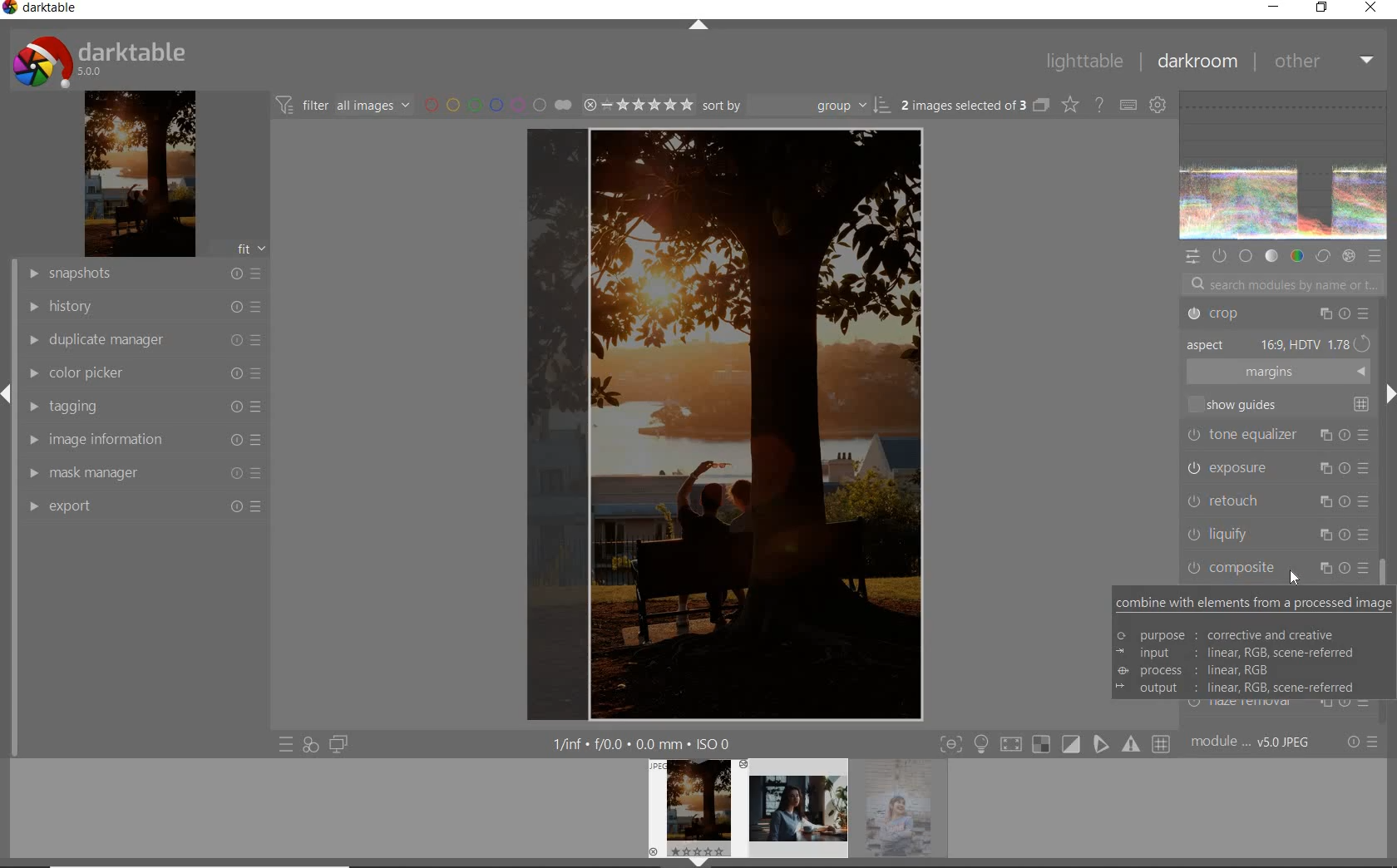 The image size is (1397, 868). Describe the element at coordinates (1278, 468) in the screenshot. I see `exposure` at that location.